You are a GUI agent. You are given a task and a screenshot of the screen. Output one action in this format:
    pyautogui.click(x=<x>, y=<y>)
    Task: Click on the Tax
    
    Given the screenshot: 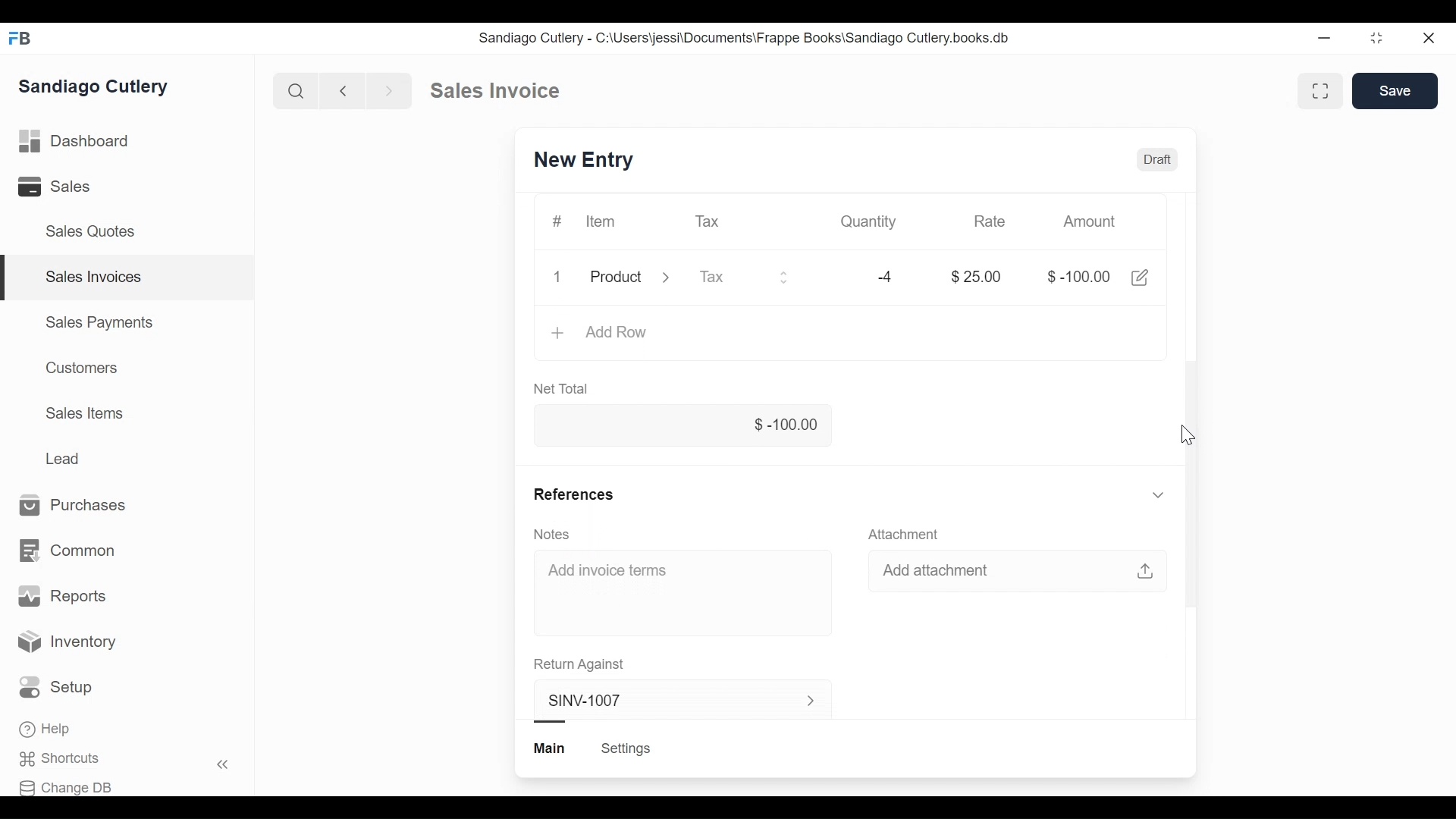 What is the action you would take?
    pyautogui.click(x=743, y=276)
    